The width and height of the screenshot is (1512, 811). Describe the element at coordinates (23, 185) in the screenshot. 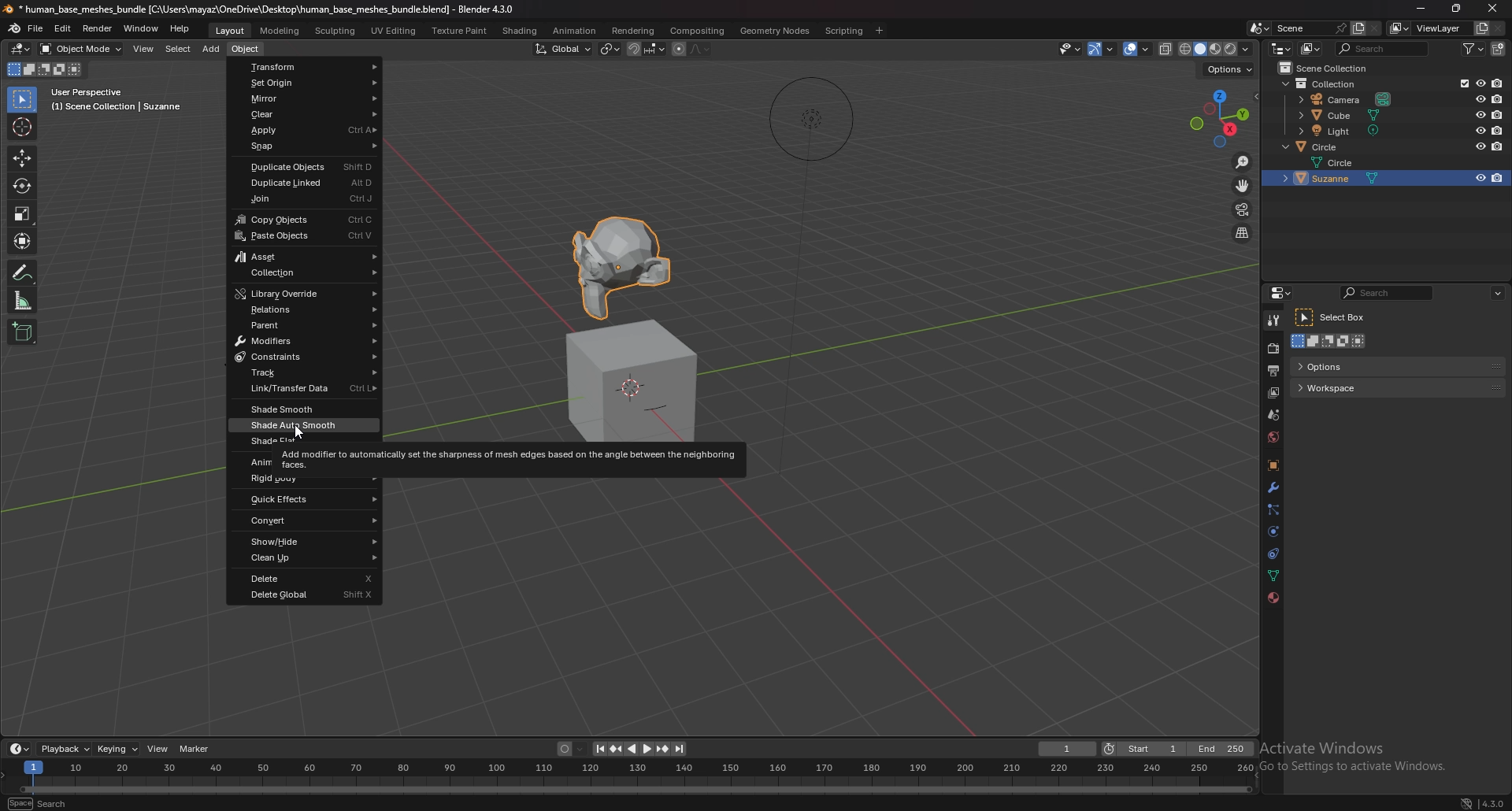

I see `rotate` at that location.